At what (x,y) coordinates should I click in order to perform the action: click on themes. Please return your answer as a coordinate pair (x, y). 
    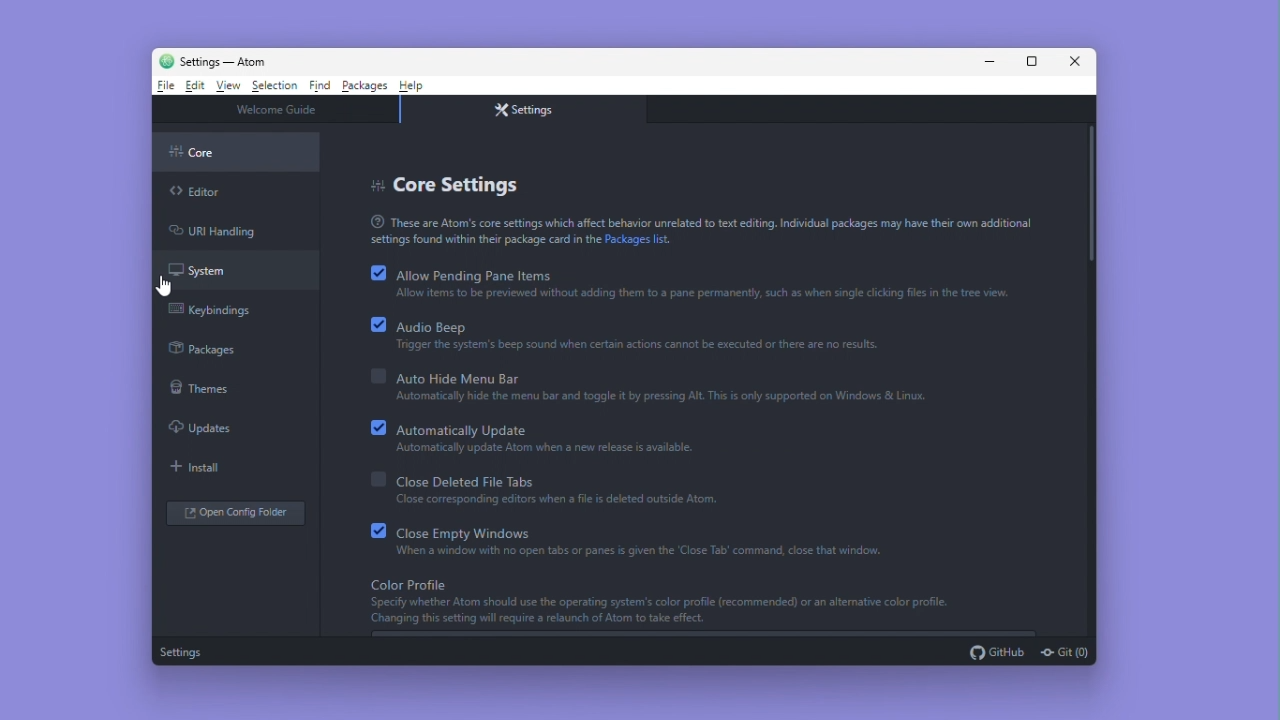
    Looking at the image, I should click on (204, 387).